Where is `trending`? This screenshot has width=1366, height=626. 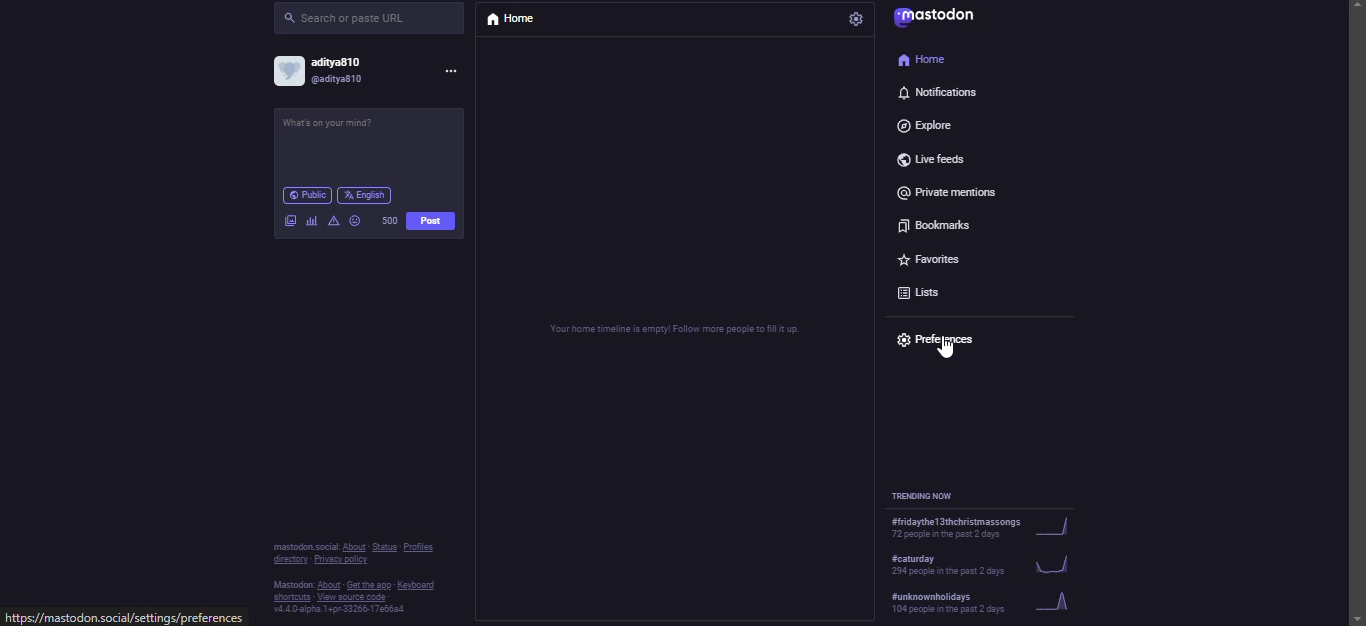 trending is located at coordinates (993, 602).